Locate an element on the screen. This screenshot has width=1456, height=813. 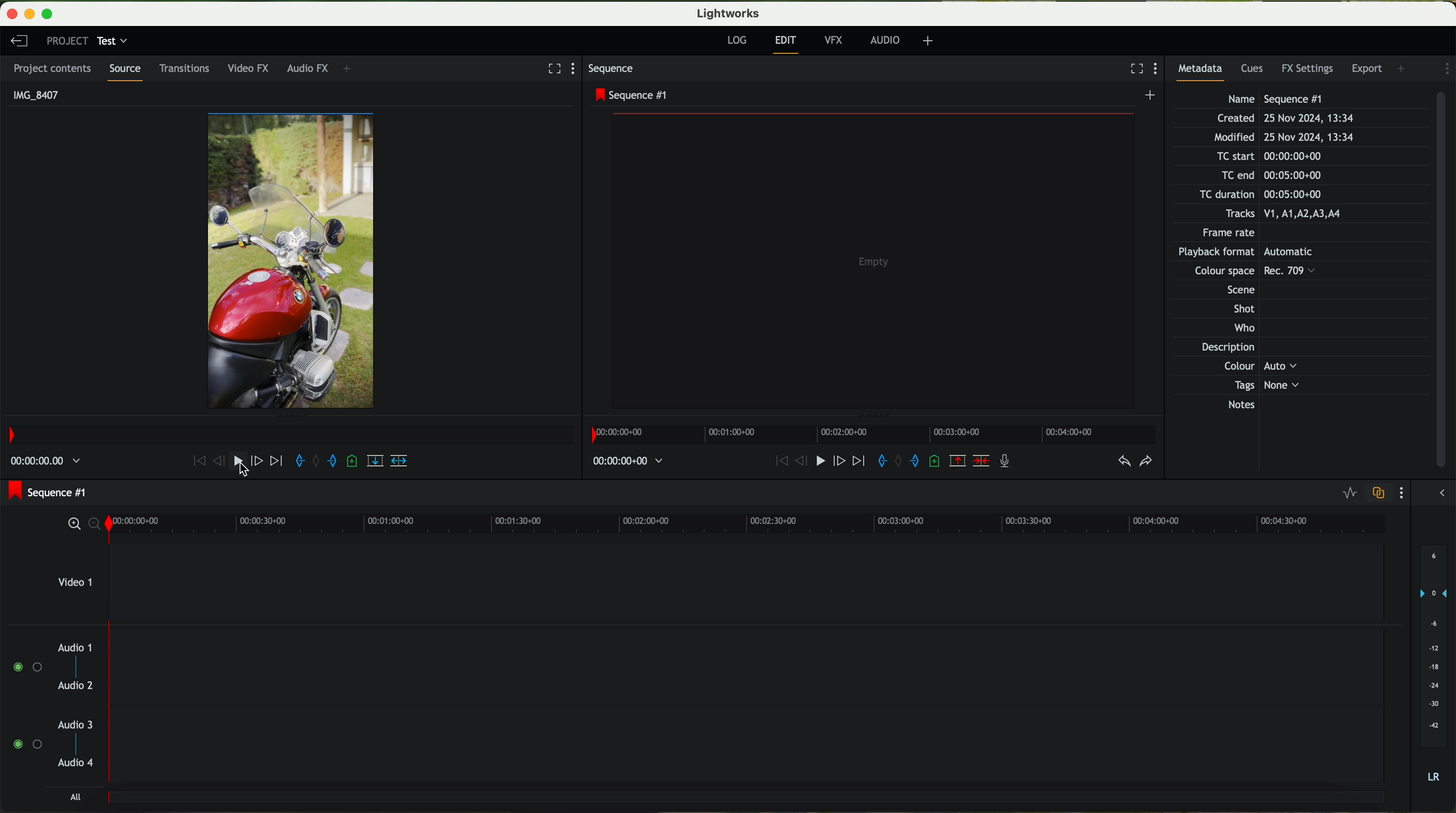
insert into the target sequence is located at coordinates (400, 460).